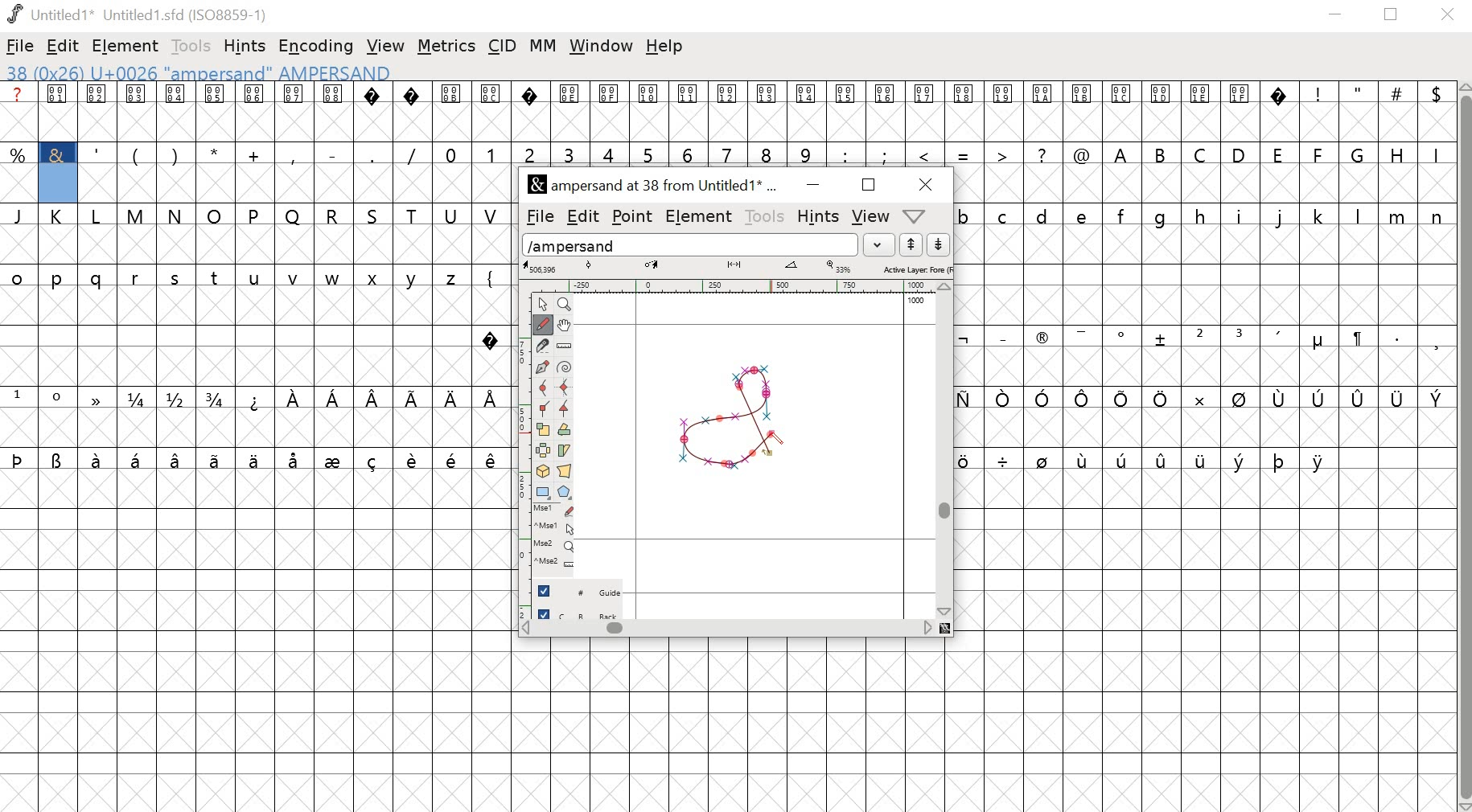 This screenshot has height=812, width=1472. Describe the element at coordinates (566, 388) in the screenshot. I see `add a curve point always either vertically or horizontally` at that location.